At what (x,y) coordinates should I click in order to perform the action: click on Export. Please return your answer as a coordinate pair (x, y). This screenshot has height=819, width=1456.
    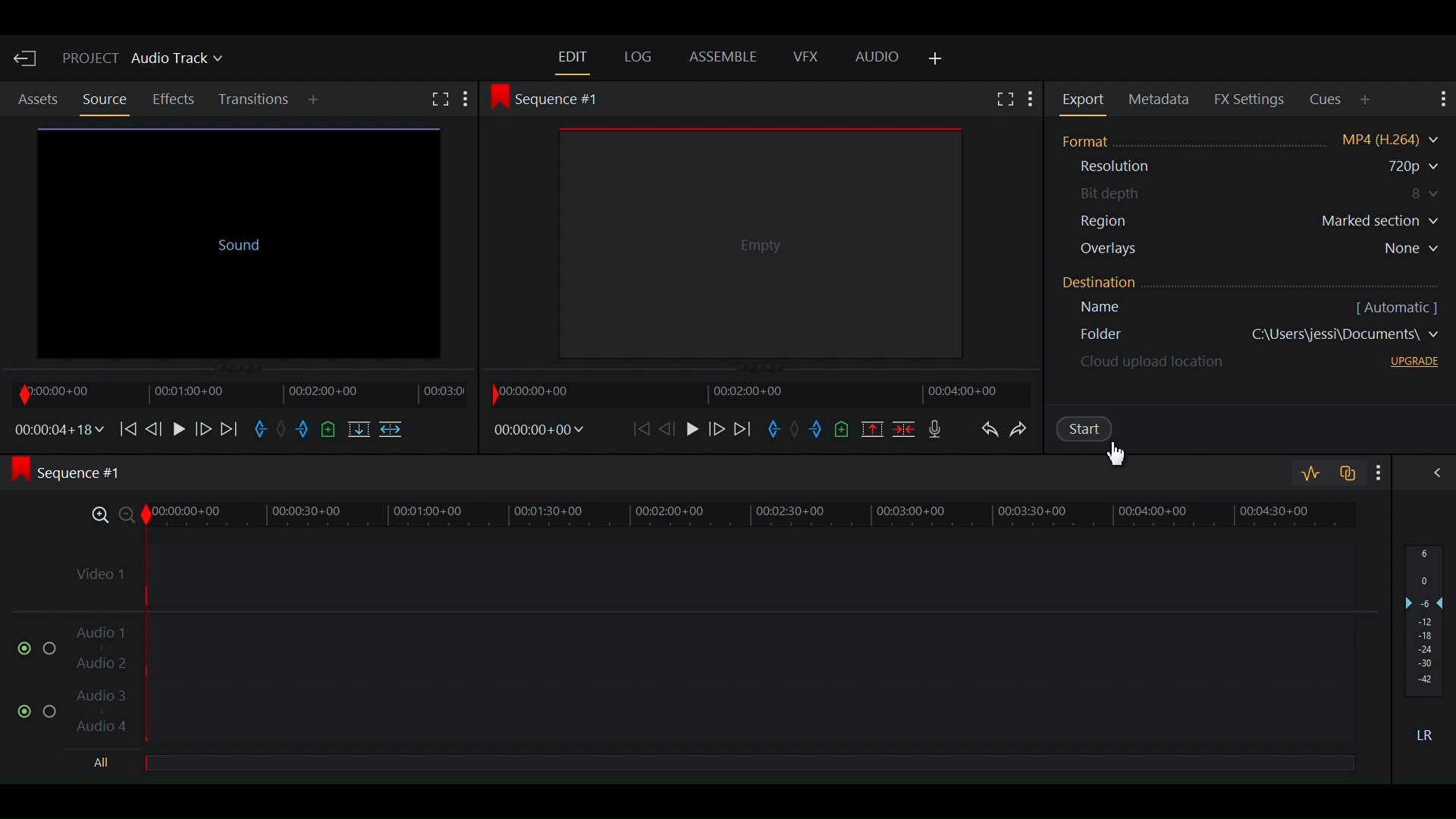
    Looking at the image, I should click on (1086, 99).